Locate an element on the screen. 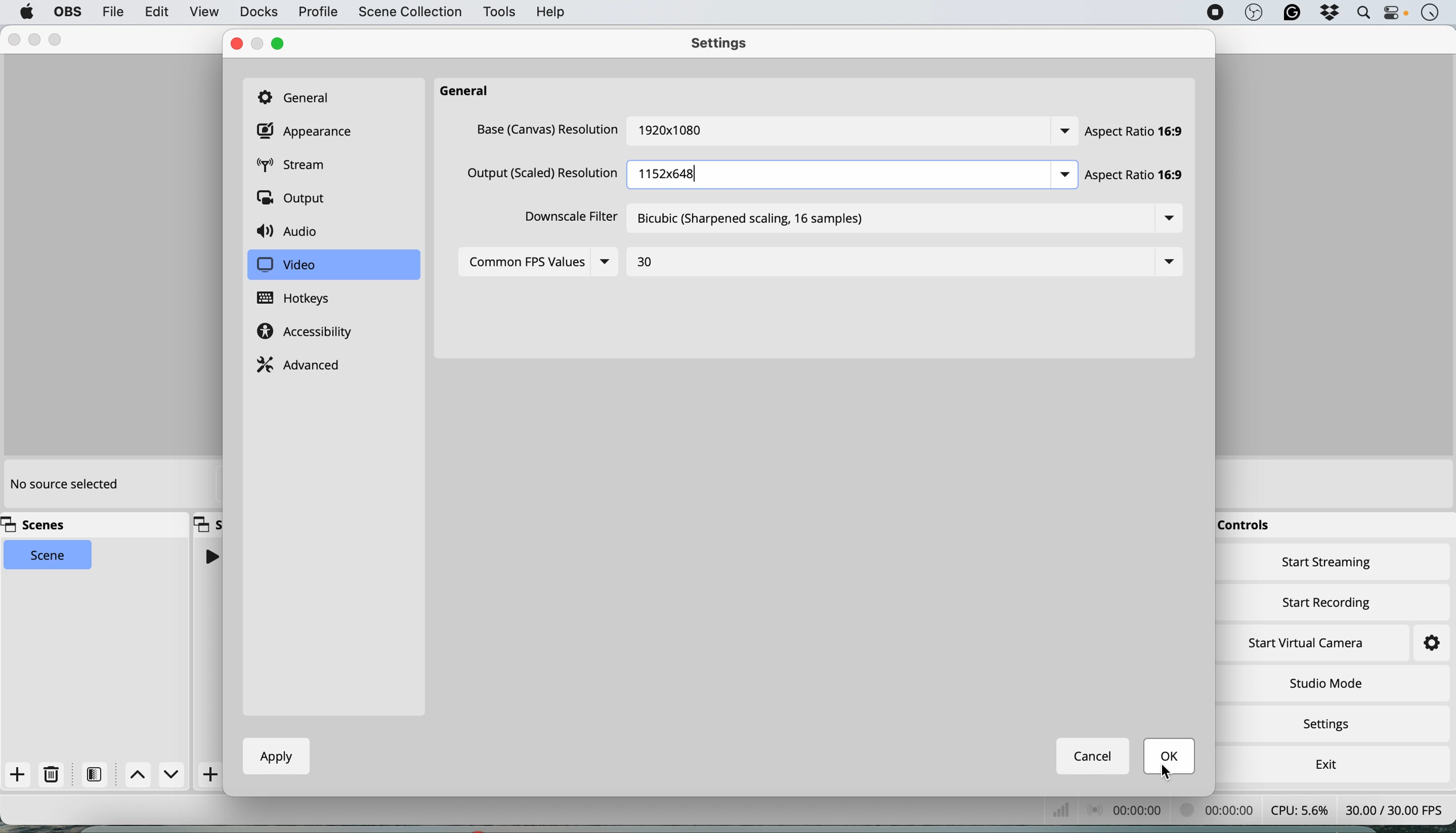  close is located at coordinates (234, 44).